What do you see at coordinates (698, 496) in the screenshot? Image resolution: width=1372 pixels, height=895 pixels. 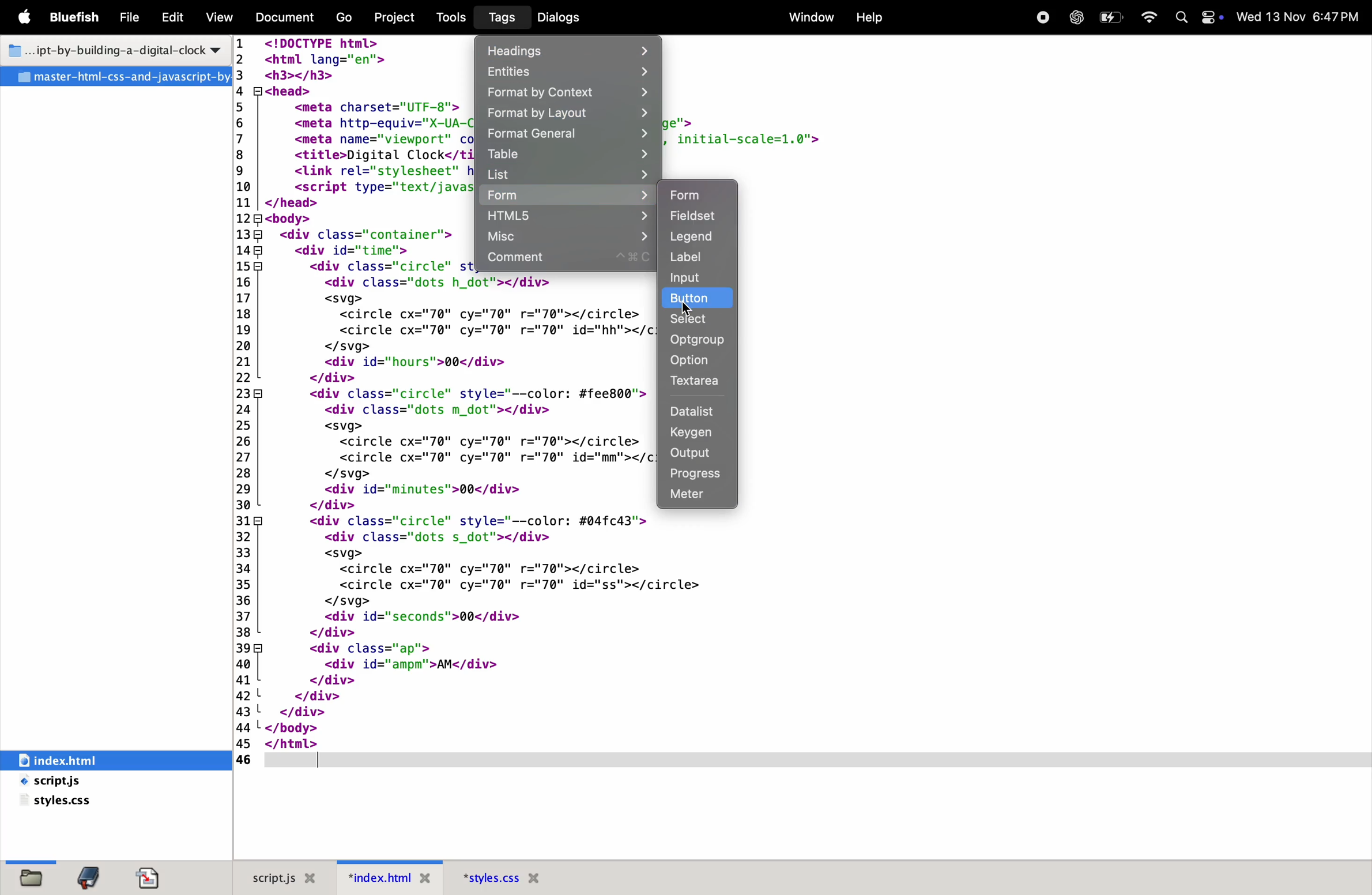 I see `meter` at bounding box center [698, 496].